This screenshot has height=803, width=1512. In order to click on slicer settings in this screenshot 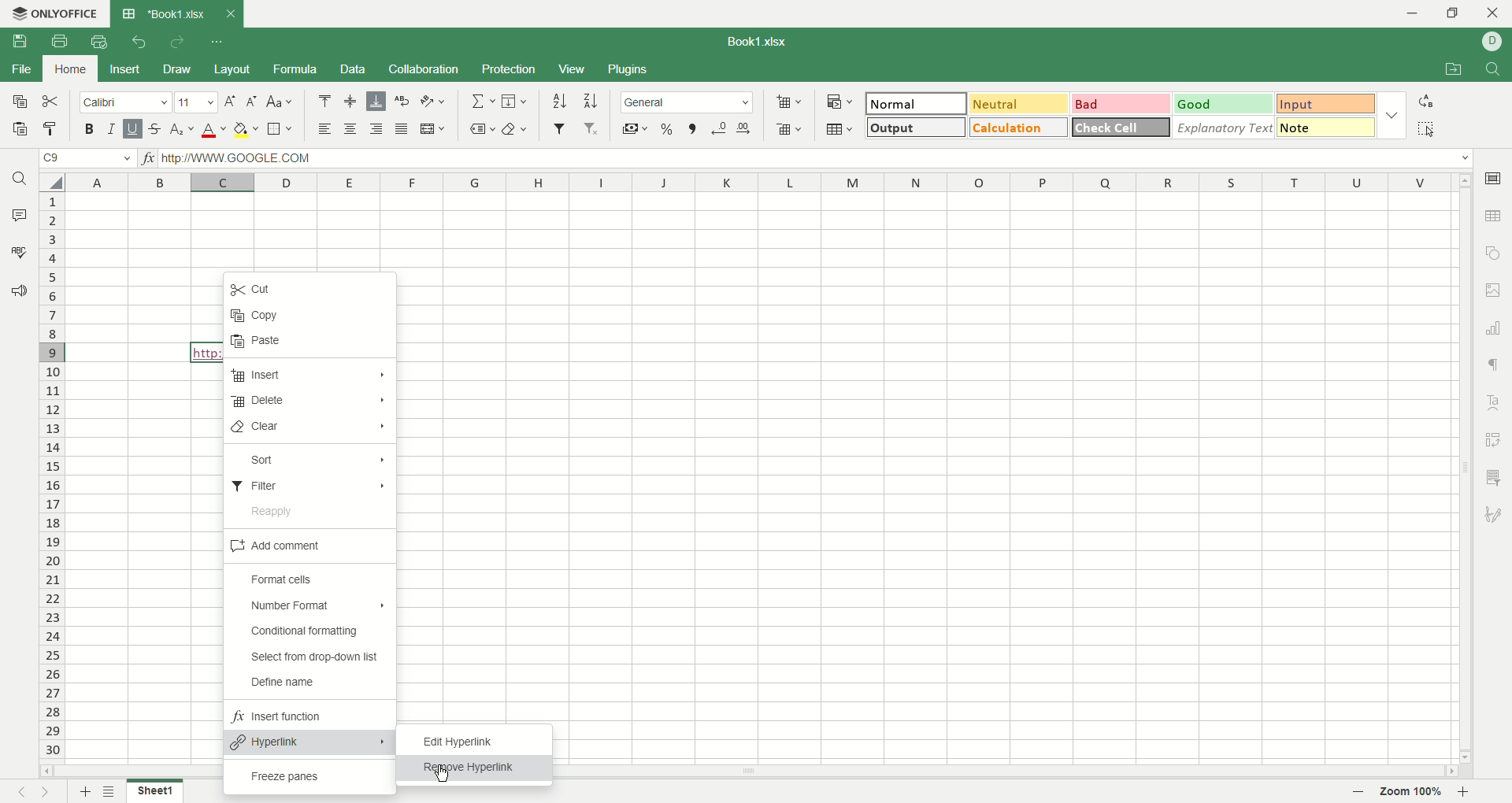, I will do `click(1493, 475)`.